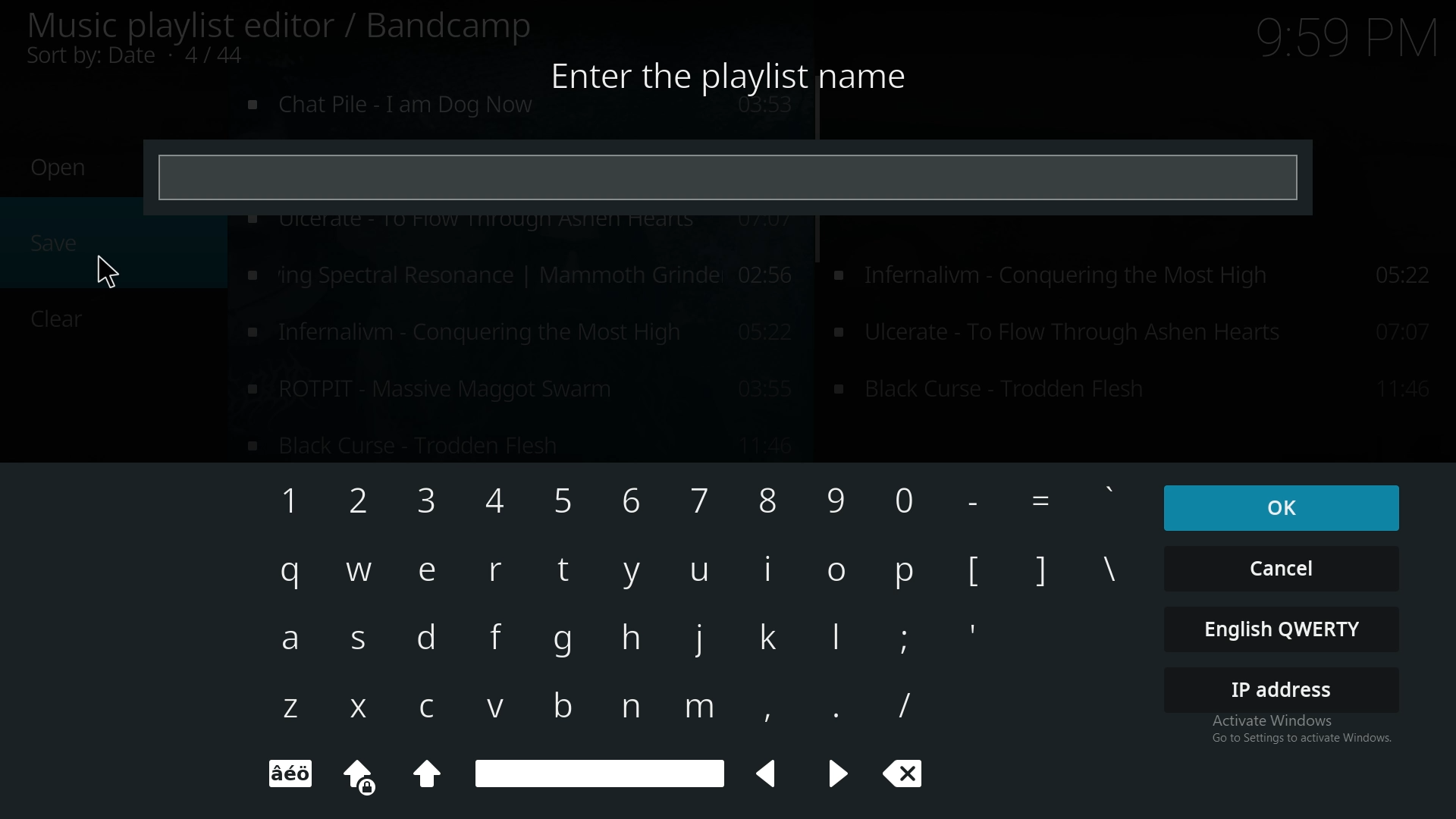 This screenshot has height=819, width=1456. I want to click on keyboard input, so click(837, 502).